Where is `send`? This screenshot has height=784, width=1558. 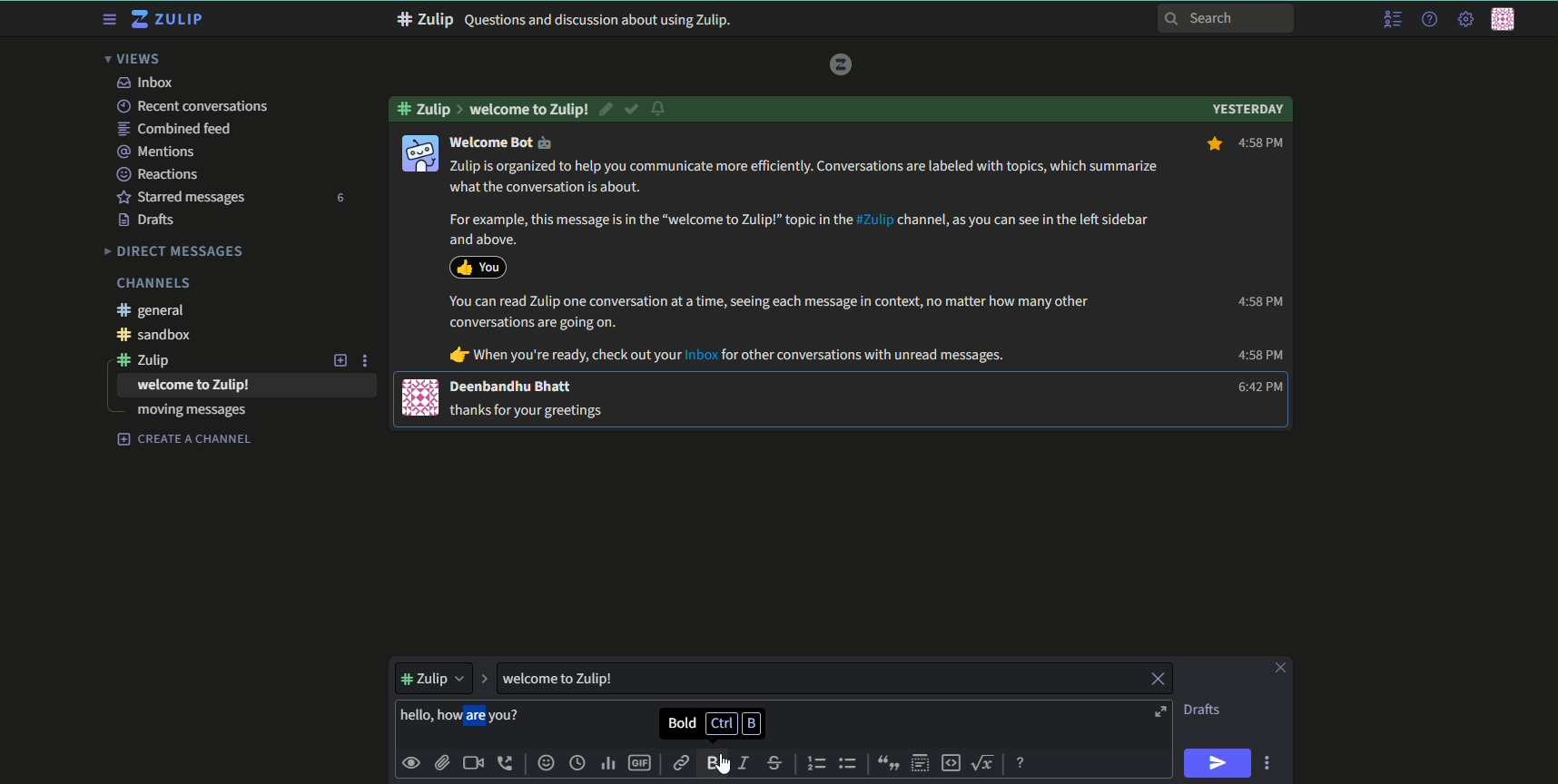
send is located at coordinates (1218, 763).